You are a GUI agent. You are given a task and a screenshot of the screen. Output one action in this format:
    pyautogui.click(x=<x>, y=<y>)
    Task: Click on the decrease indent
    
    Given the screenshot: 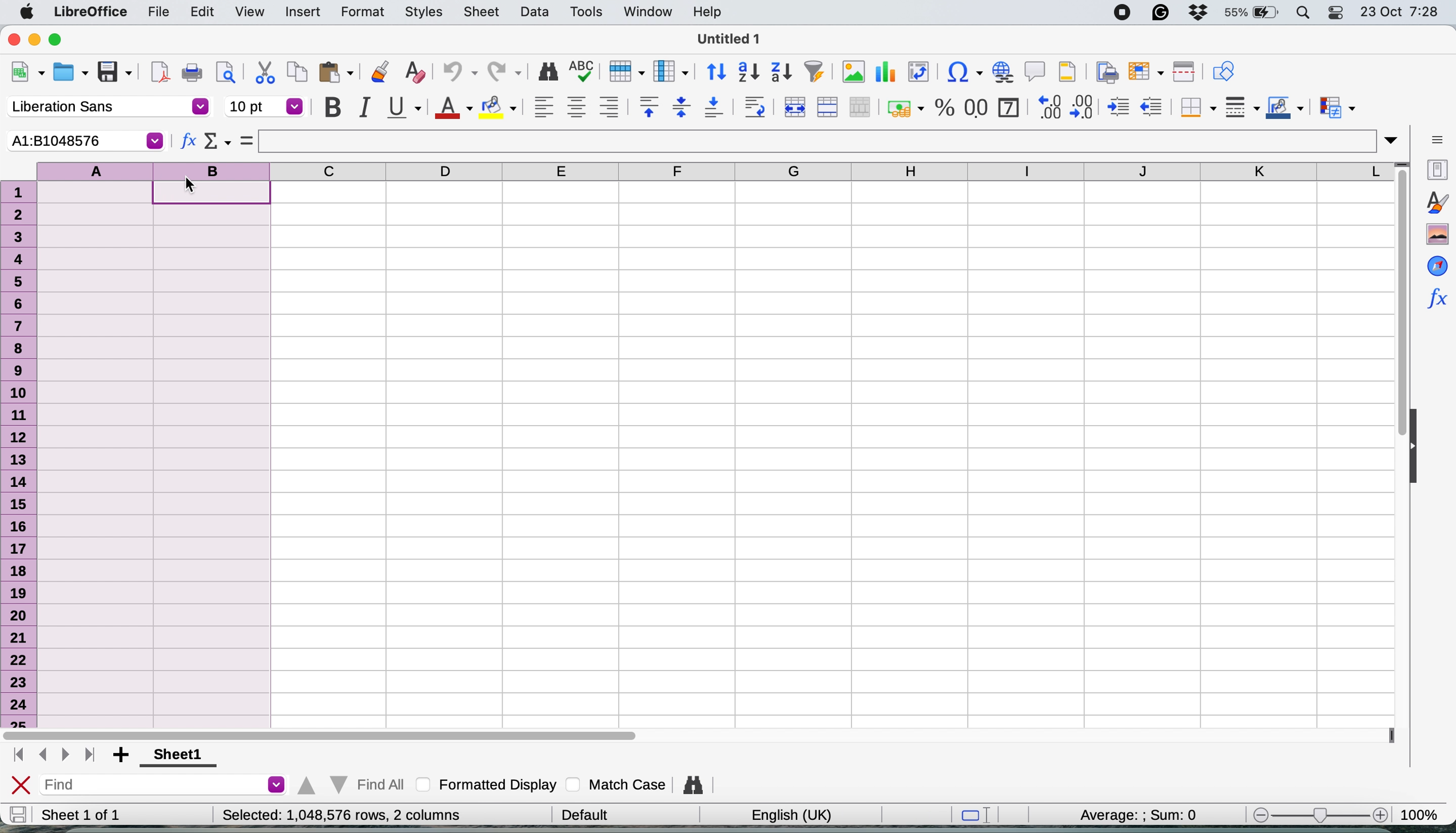 What is the action you would take?
    pyautogui.click(x=1153, y=106)
    